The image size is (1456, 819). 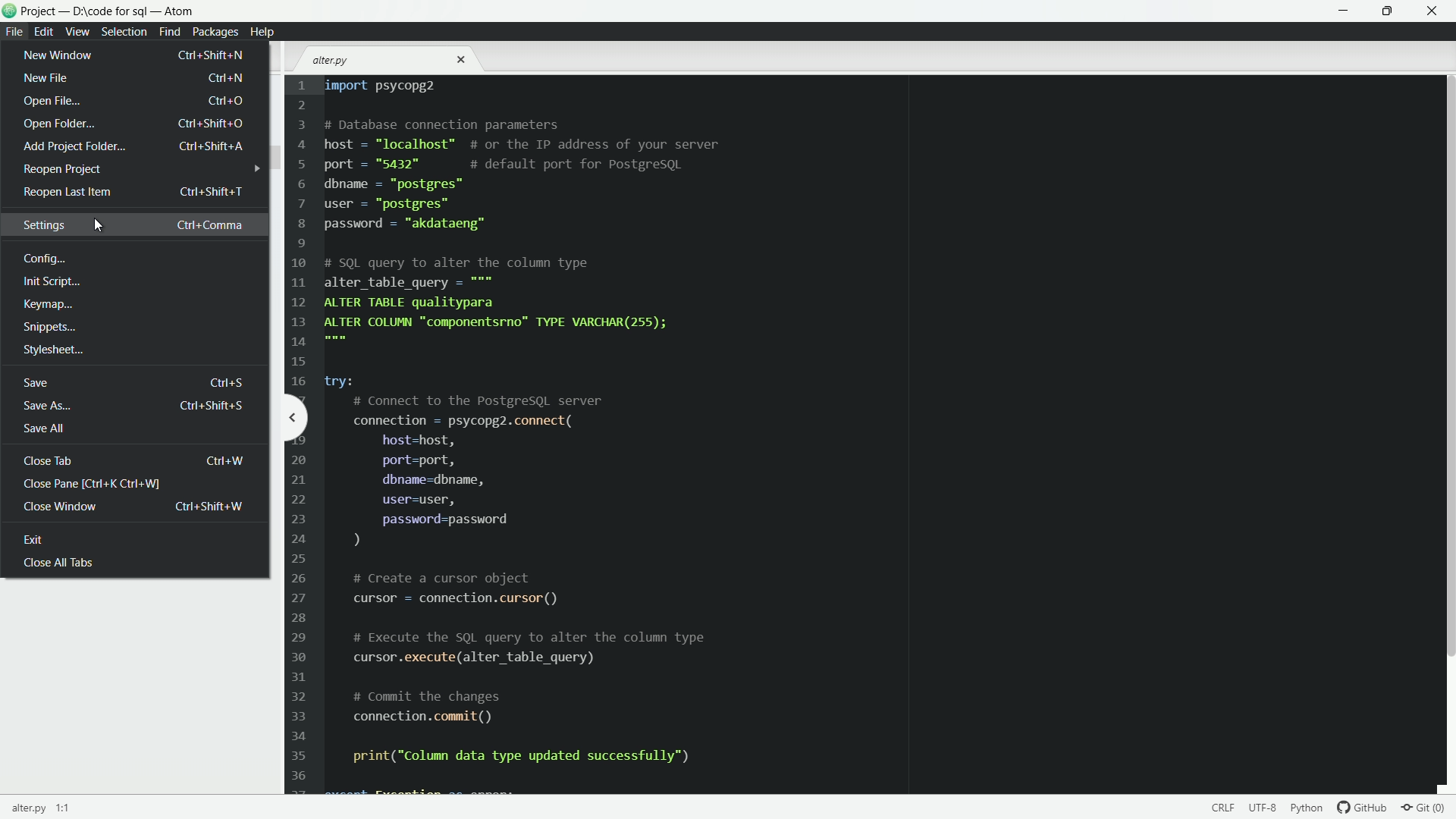 What do you see at coordinates (56, 567) in the screenshot?
I see `close all tabs` at bounding box center [56, 567].